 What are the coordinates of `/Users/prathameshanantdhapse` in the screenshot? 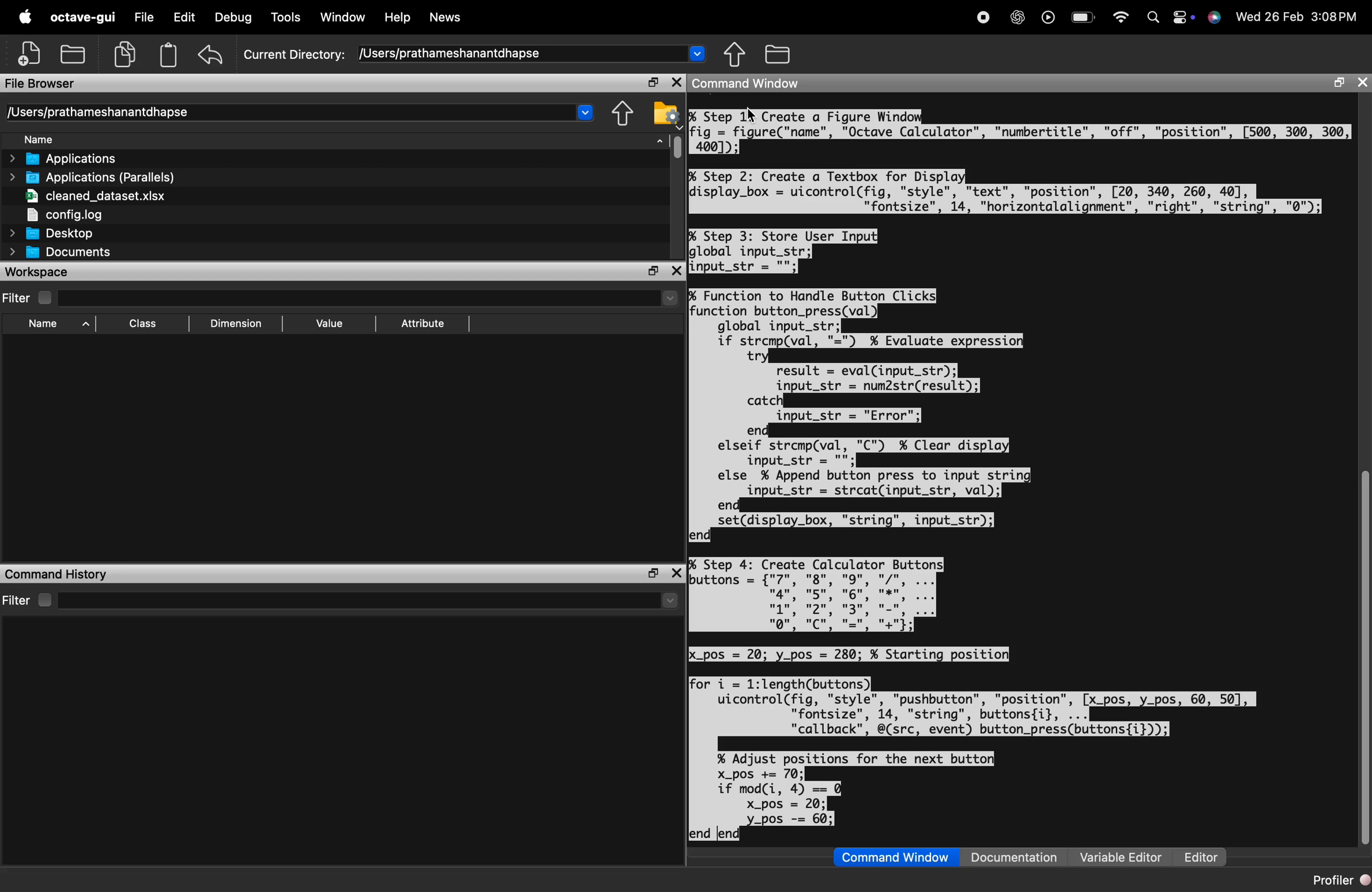 It's located at (536, 52).